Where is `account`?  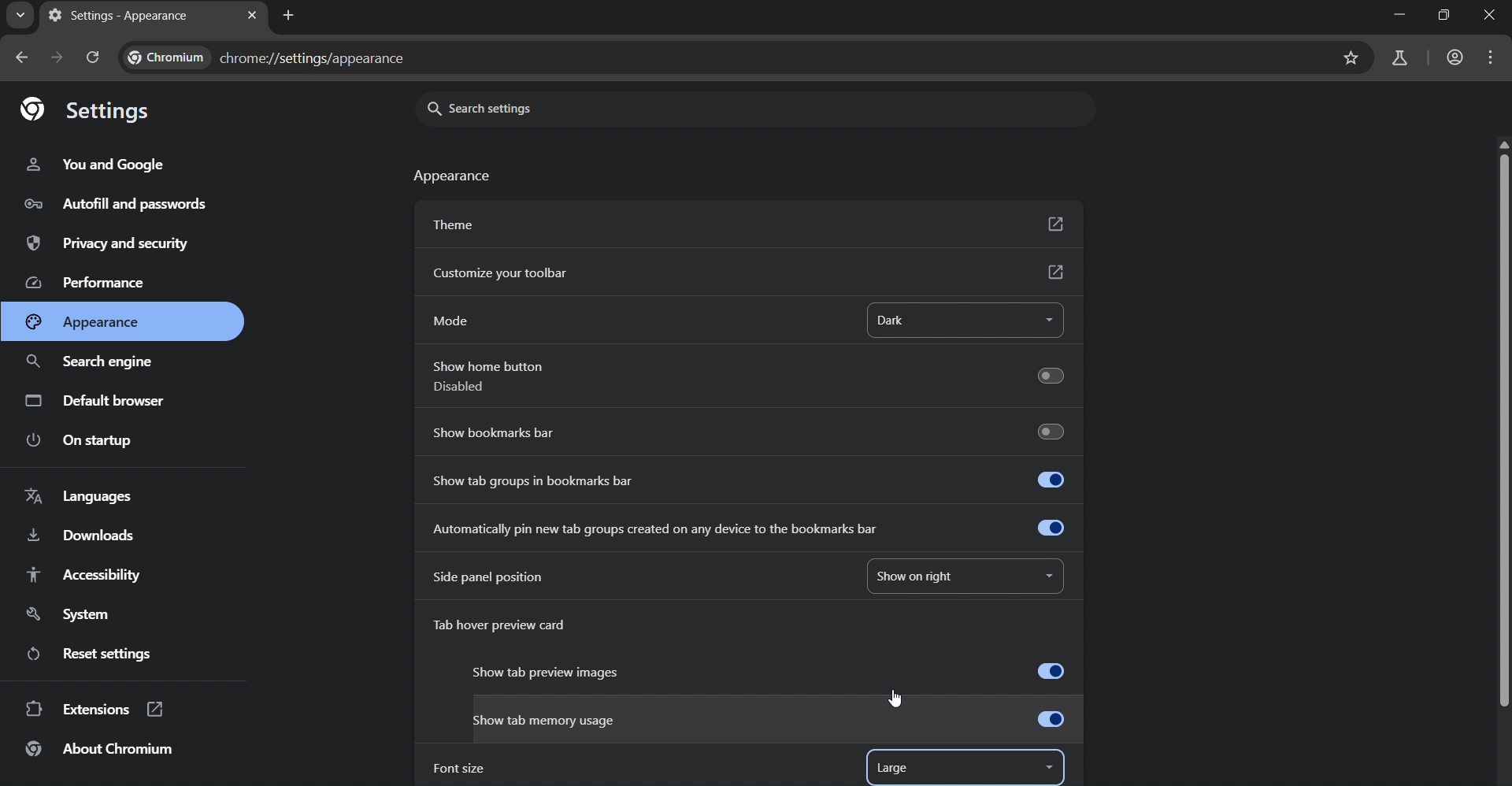
account is located at coordinates (1456, 57).